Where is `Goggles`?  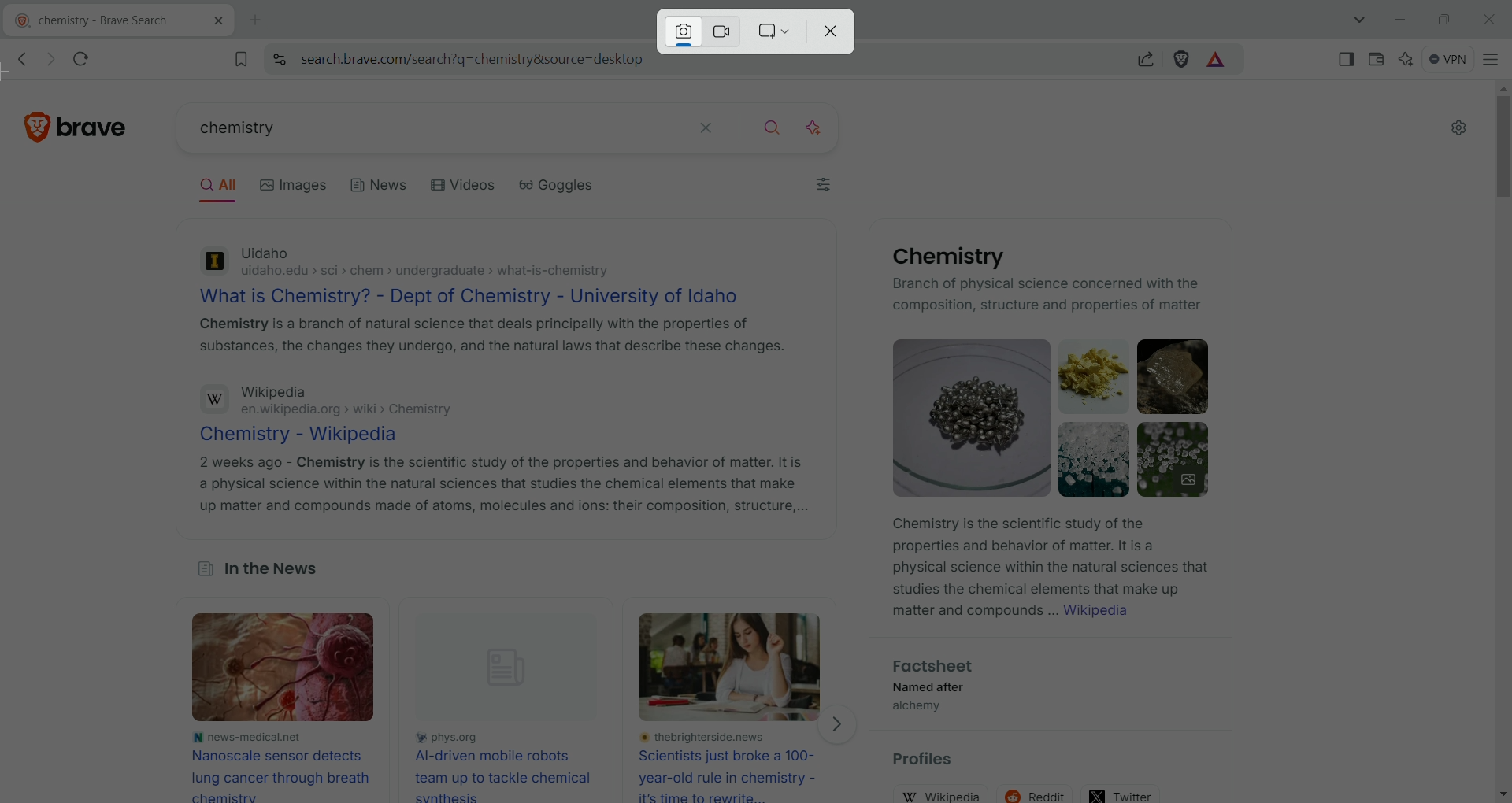
Goggles is located at coordinates (568, 189).